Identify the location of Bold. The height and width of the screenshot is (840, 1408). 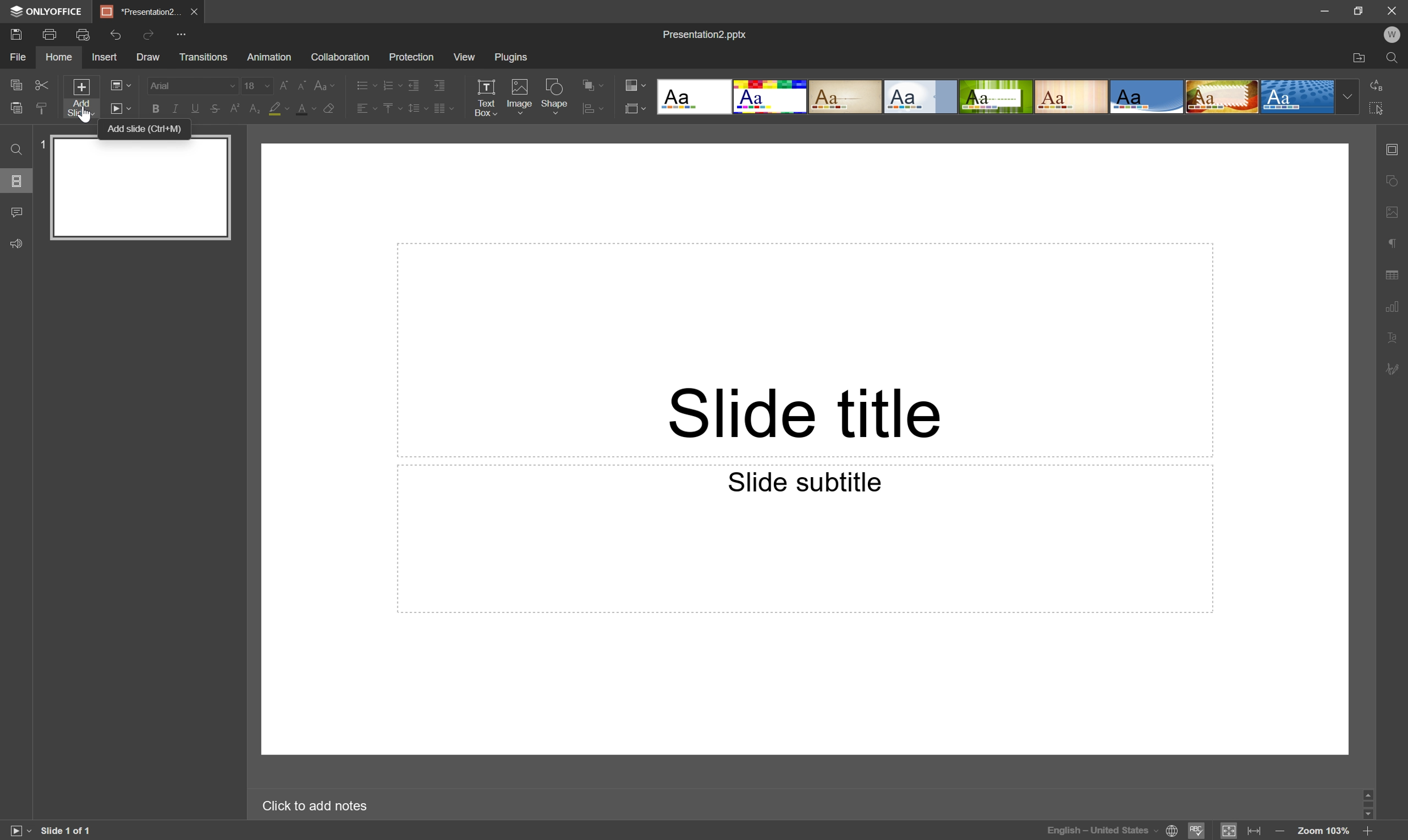
(155, 108).